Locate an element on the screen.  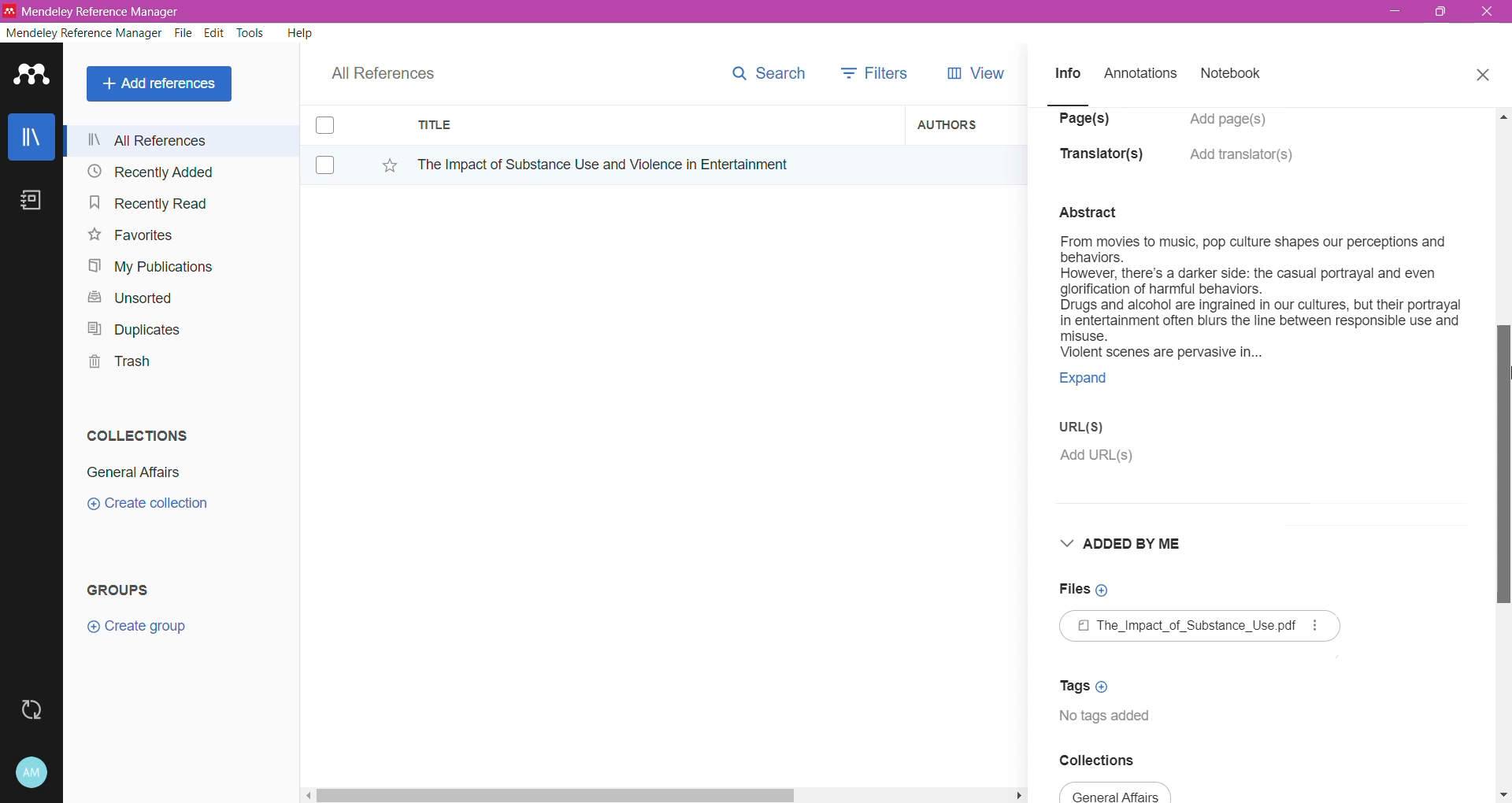
Collections is located at coordinates (133, 432).